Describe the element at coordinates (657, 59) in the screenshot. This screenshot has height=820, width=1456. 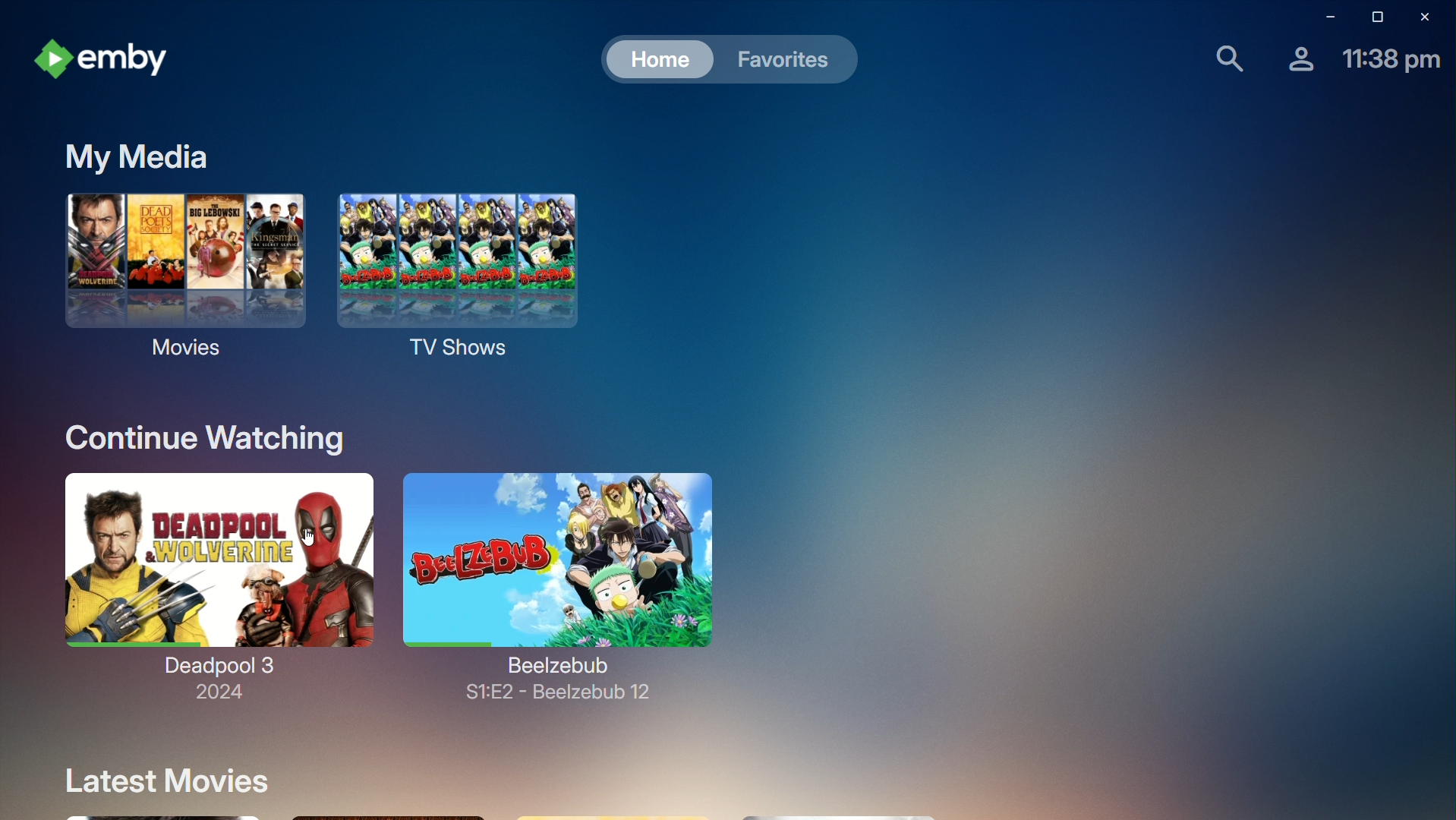
I see `Home` at that location.